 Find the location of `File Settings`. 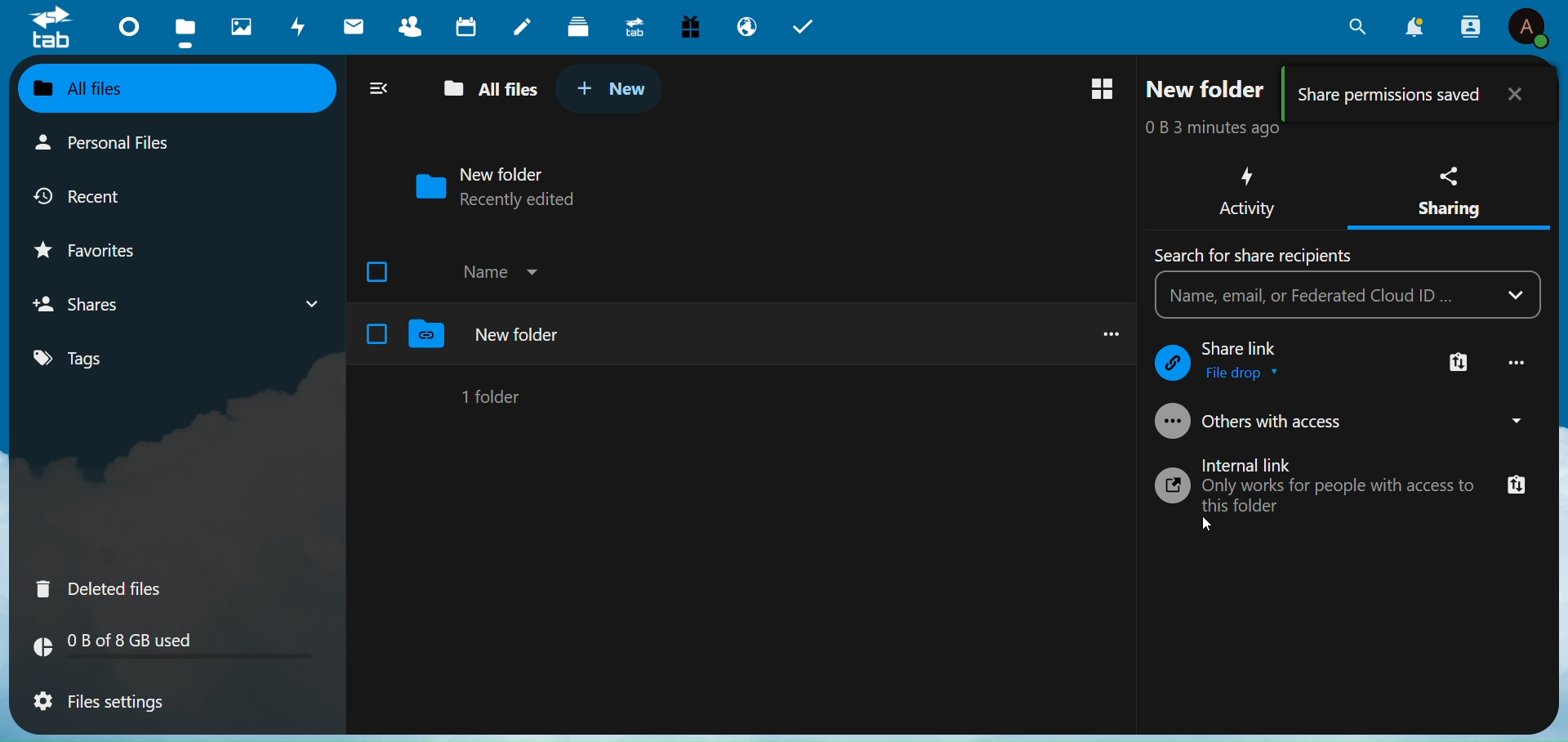

File Settings is located at coordinates (111, 704).